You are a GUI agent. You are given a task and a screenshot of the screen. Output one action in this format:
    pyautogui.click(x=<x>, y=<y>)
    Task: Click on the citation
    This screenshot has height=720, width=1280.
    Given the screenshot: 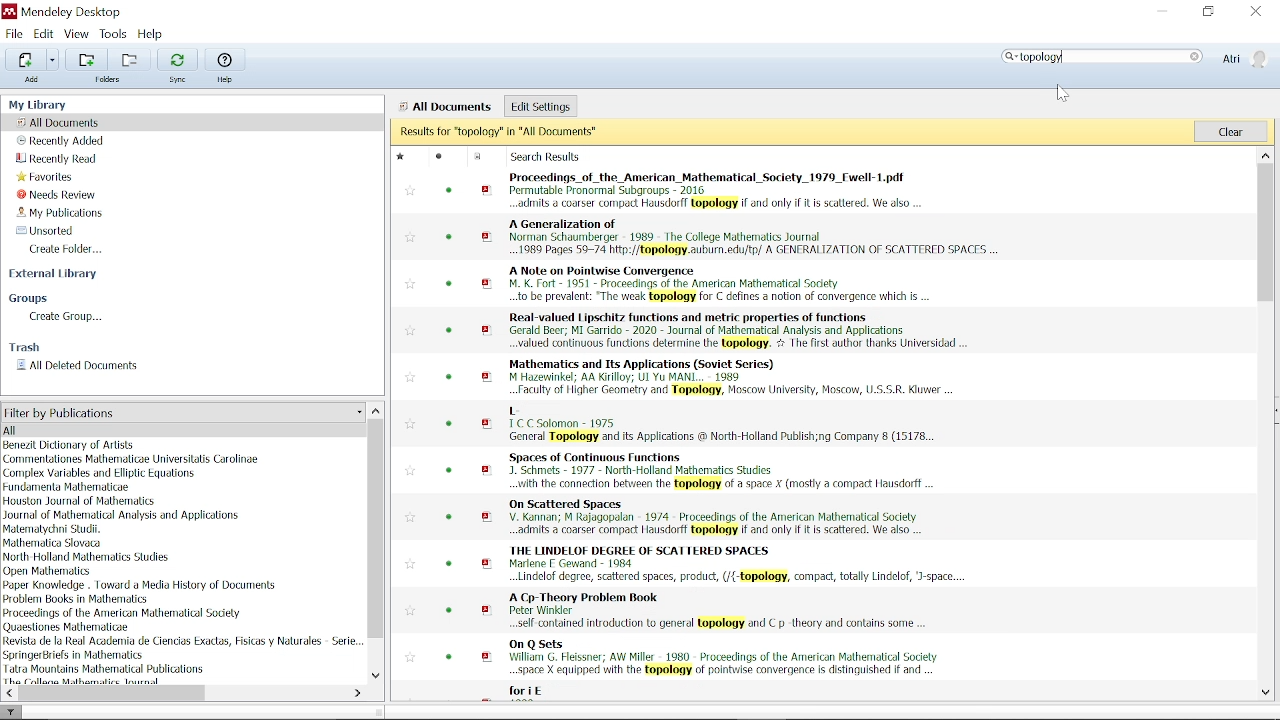 What is the action you would take?
    pyautogui.click(x=756, y=238)
    